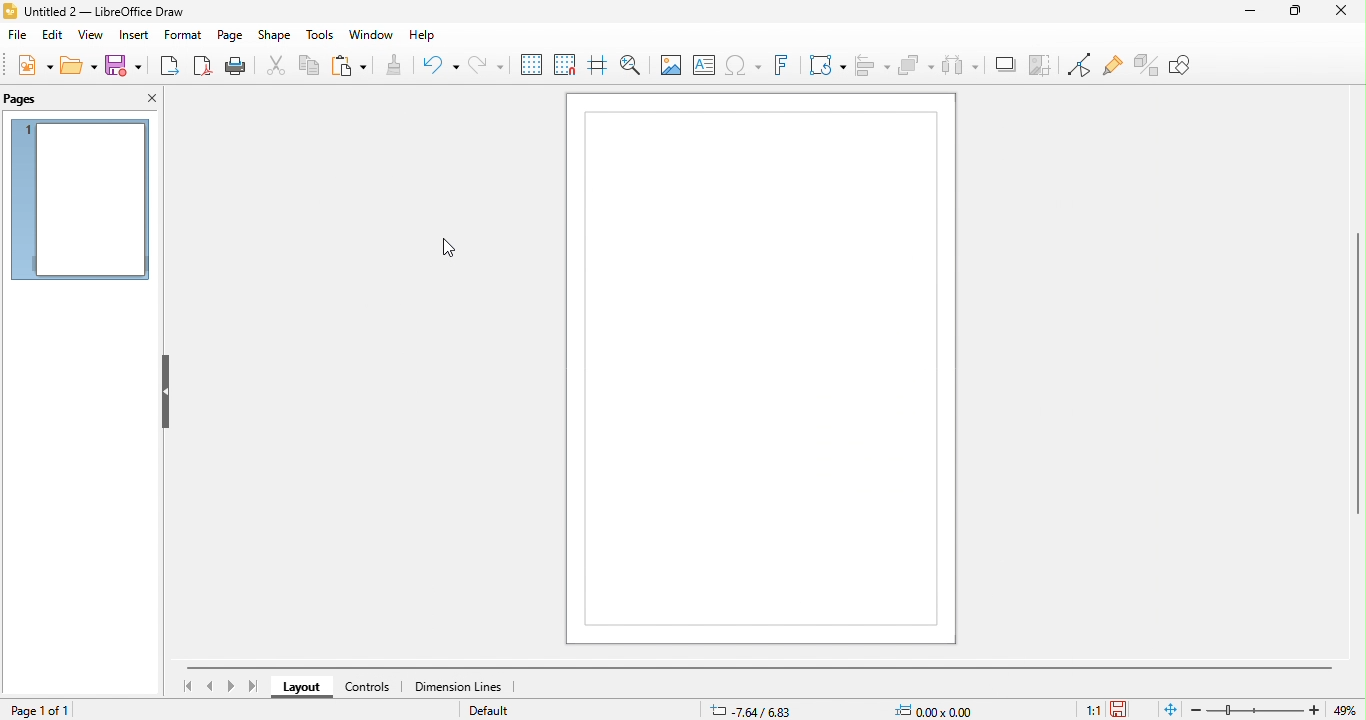  What do you see at coordinates (1241, 19) in the screenshot?
I see `minimize` at bounding box center [1241, 19].